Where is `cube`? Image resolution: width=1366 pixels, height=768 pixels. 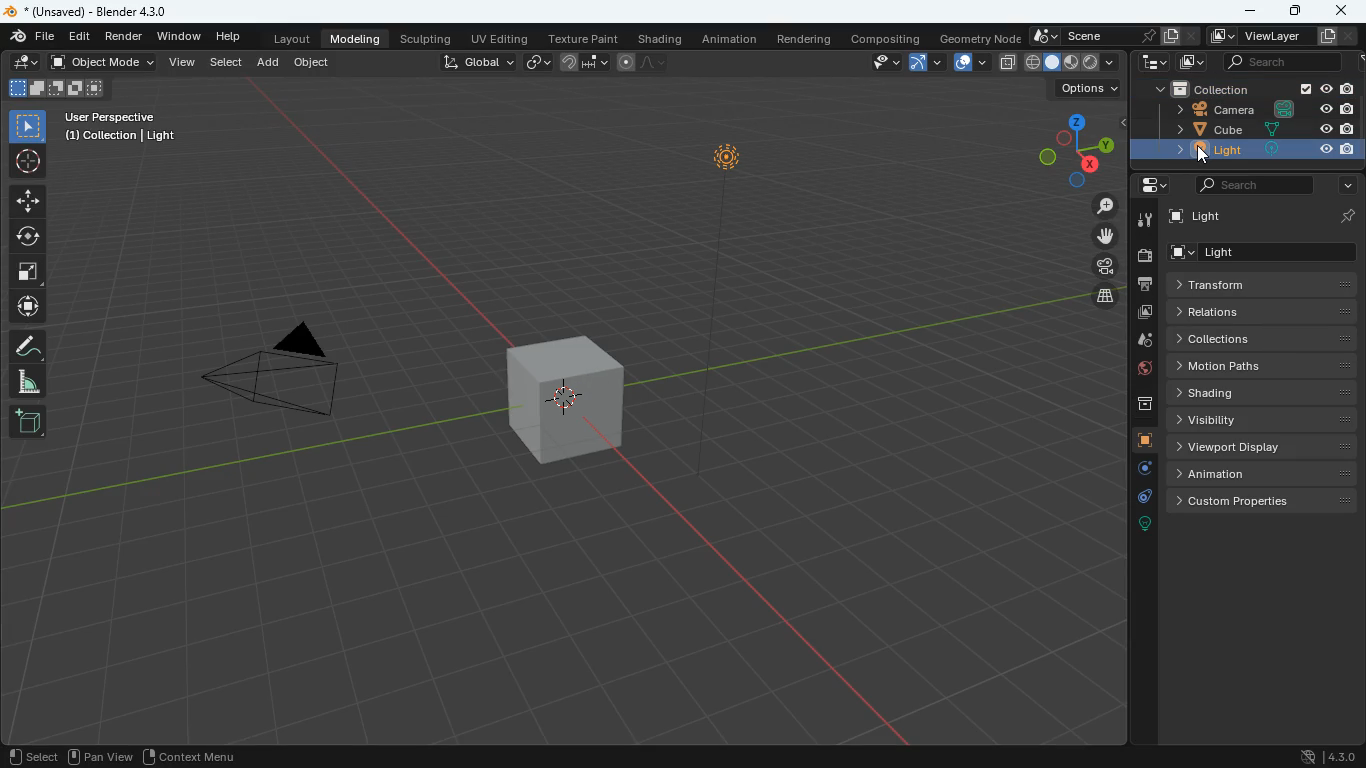 cube is located at coordinates (1266, 128).